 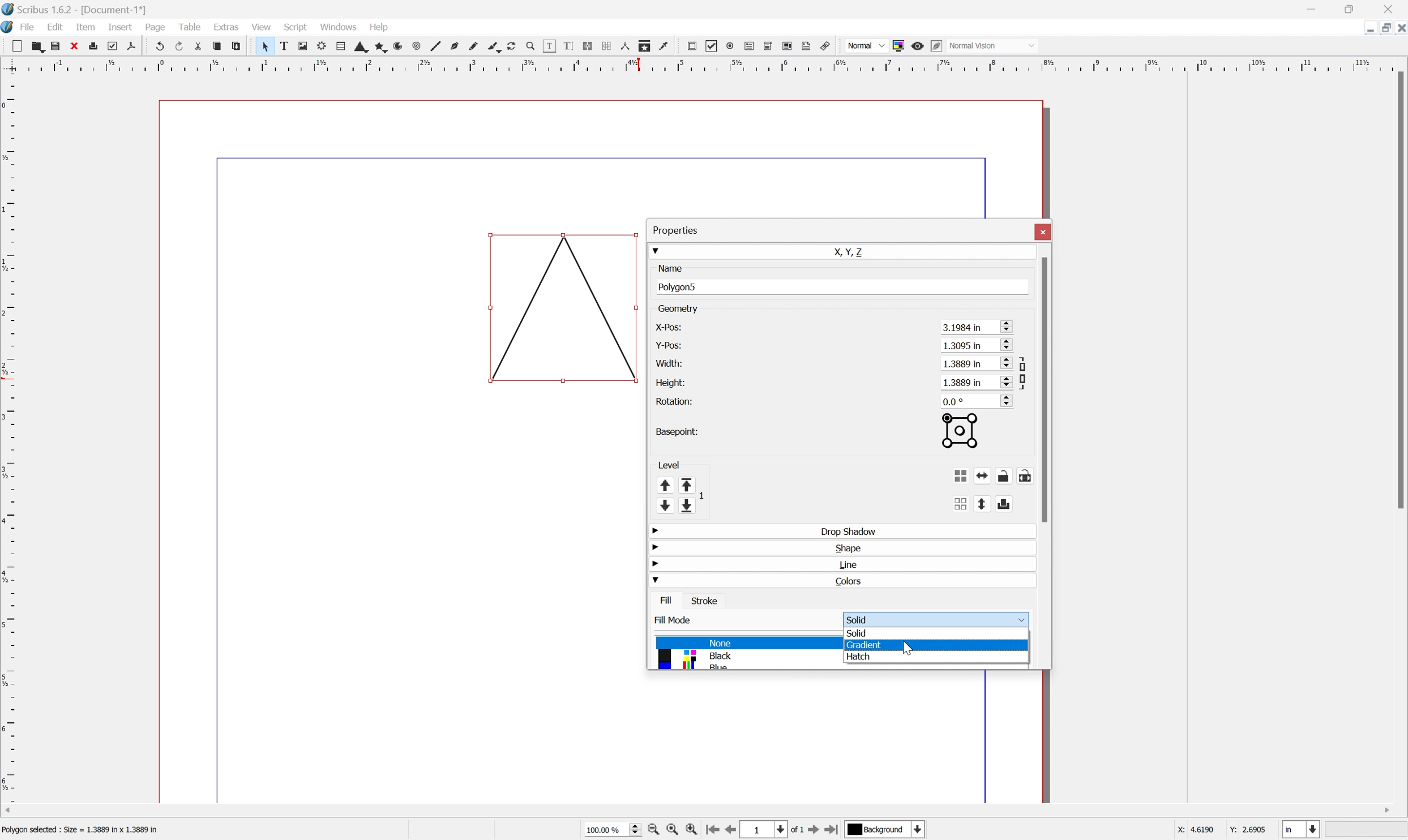 What do you see at coordinates (833, 830) in the screenshot?
I see `Go to last page` at bounding box center [833, 830].